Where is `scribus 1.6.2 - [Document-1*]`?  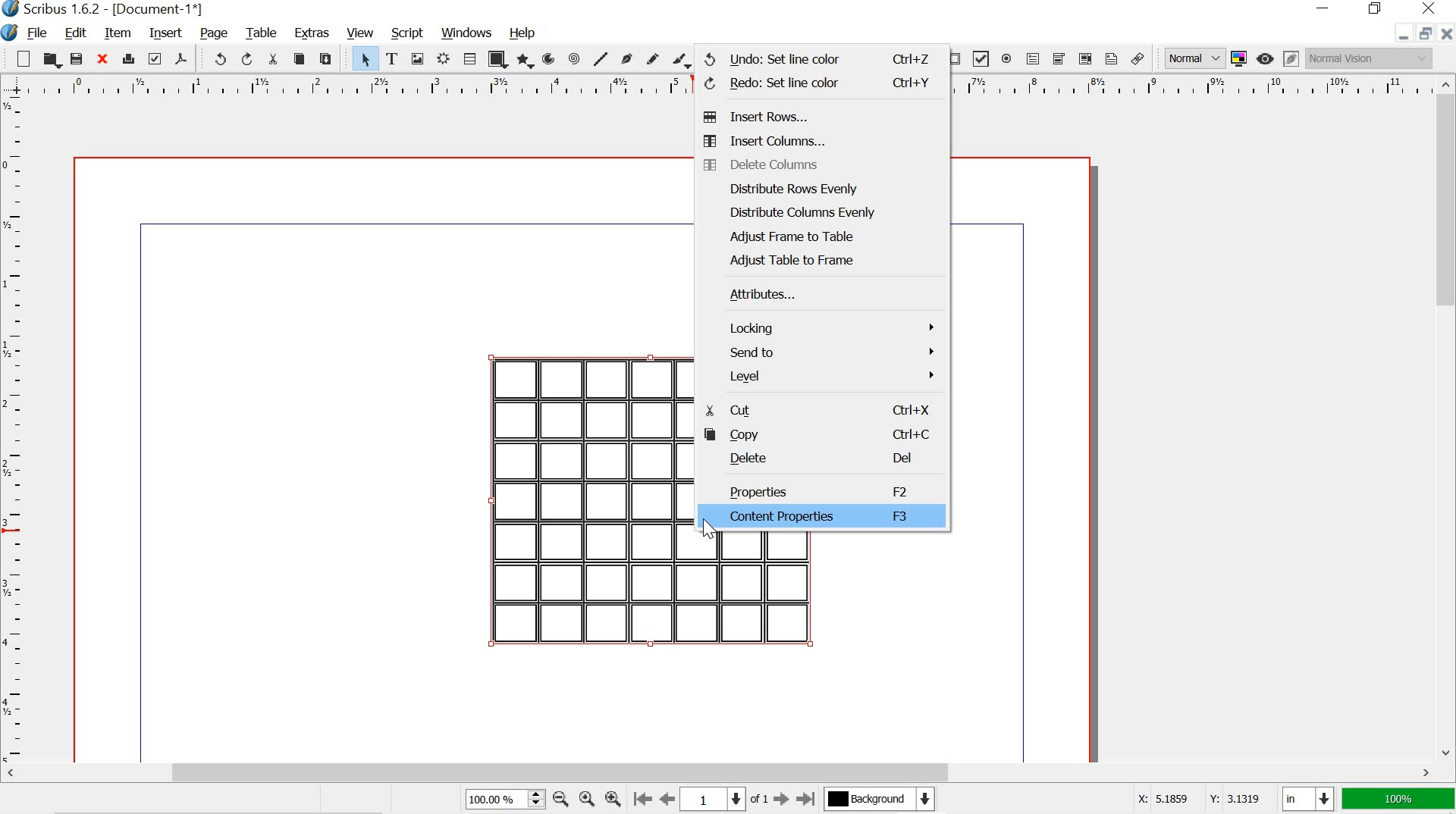 scribus 1.6.2 - [Document-1*] is located at coordinates (111, 9).